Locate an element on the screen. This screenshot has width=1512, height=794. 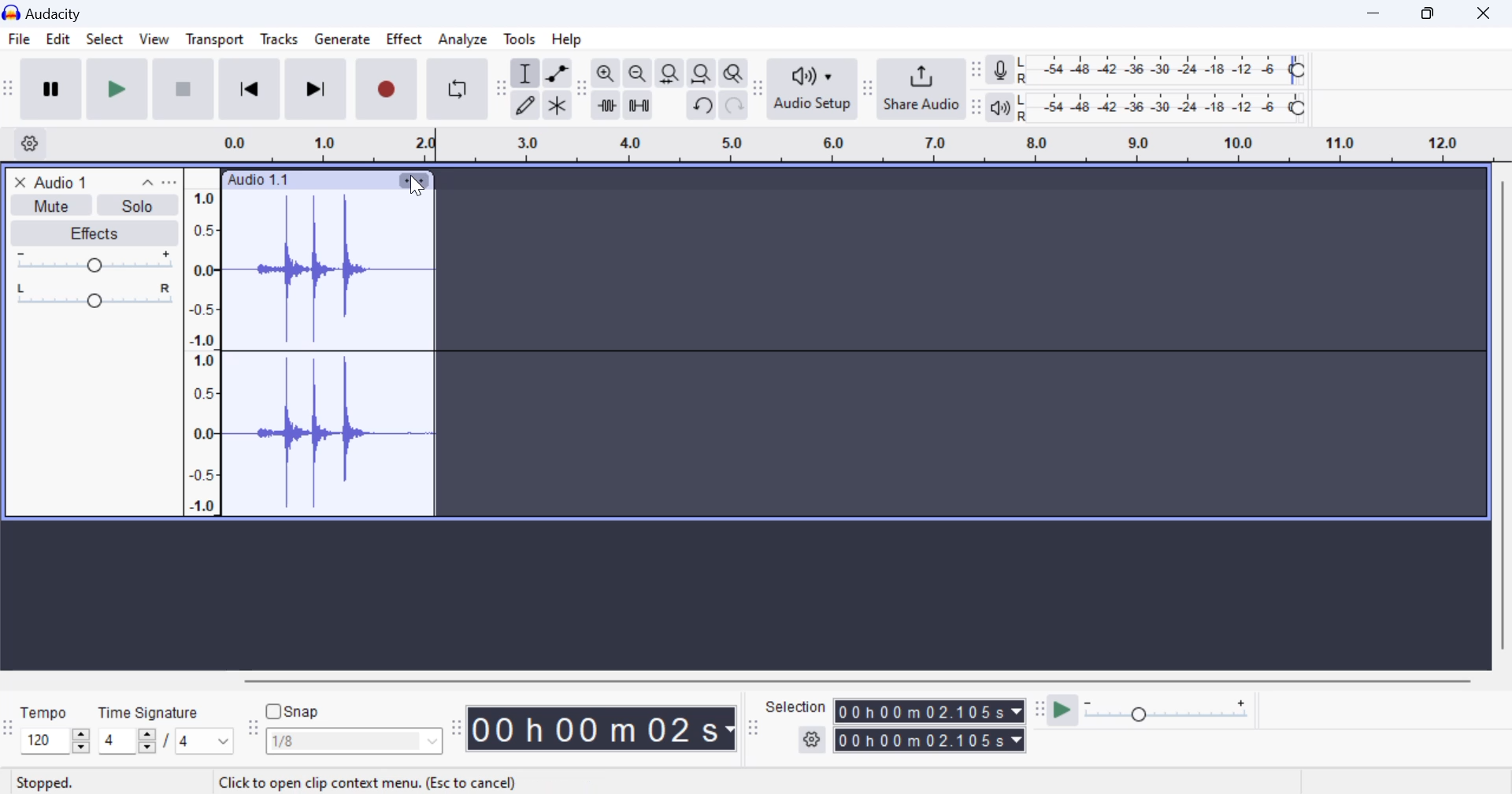
increase or decrease time signature is located at coordinates (127, 741).